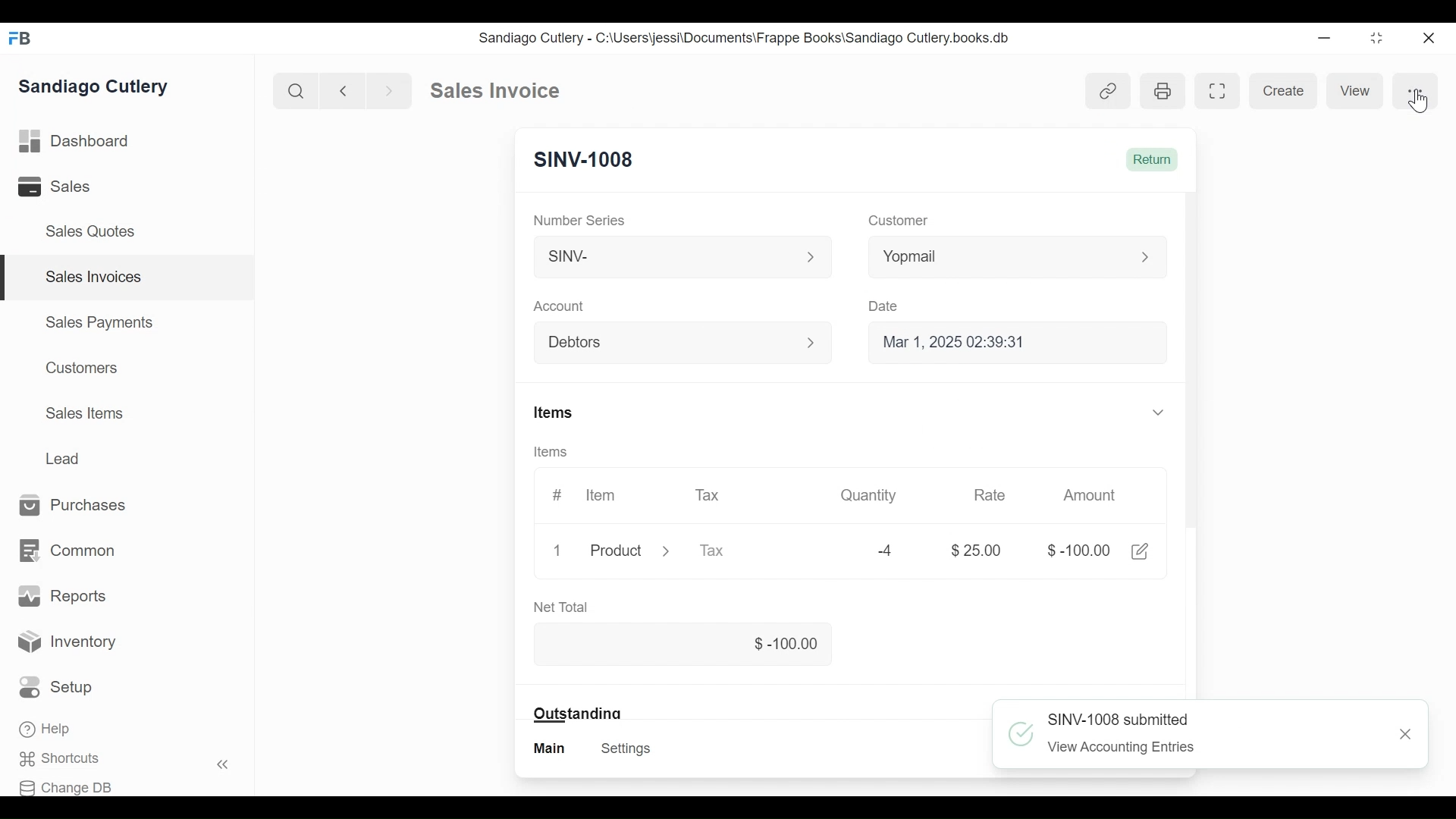 This screenshot has width=1456, height=819. Describe the element at coordinates (1014, 341) in the screenshot. I see ` Mar 1, 2025 02:39:31` at that location.